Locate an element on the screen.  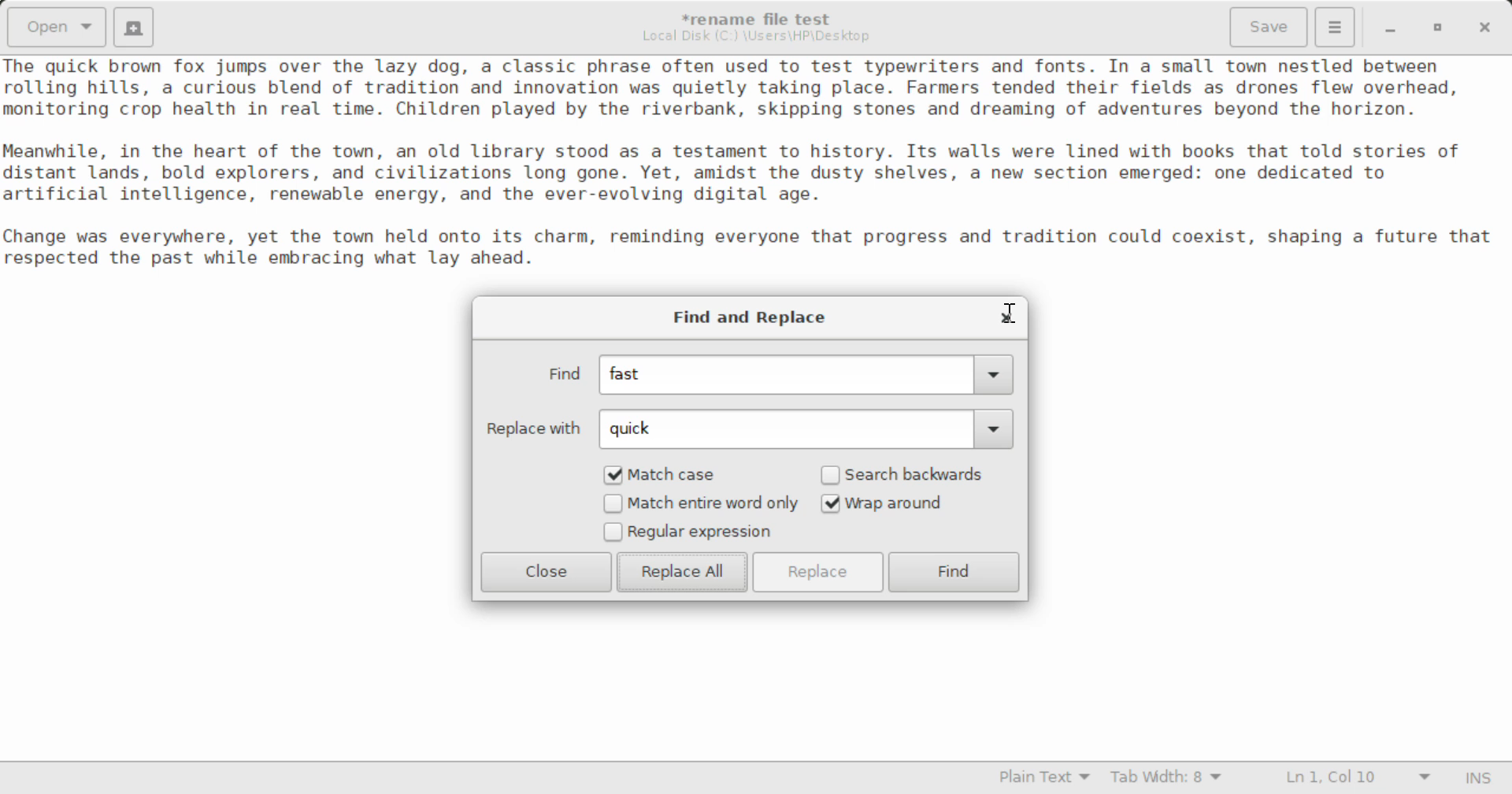
Line & Character Count Changed after Replace Action  is located at coordinates (1354, 776).